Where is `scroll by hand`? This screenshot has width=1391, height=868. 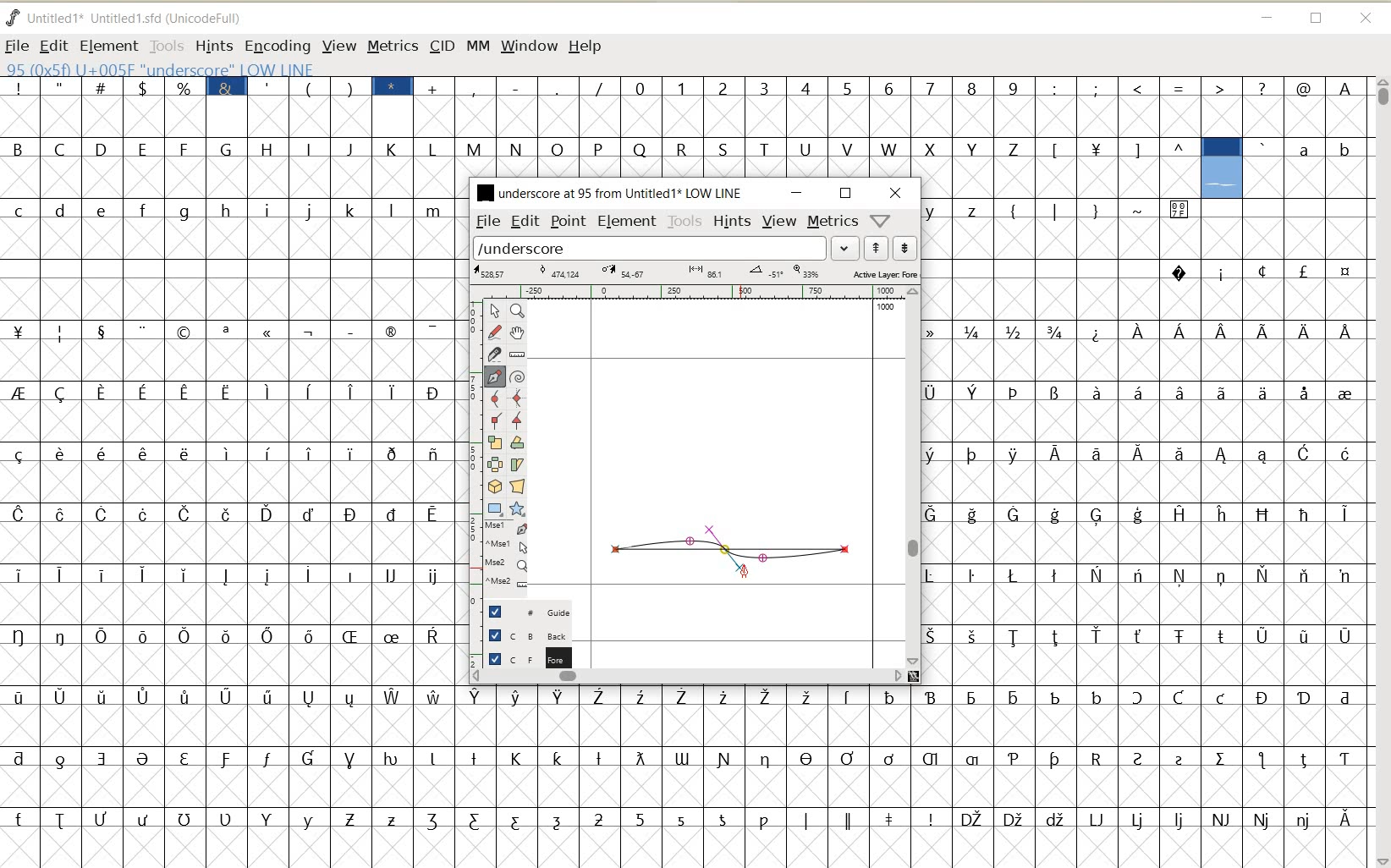 scroll by hand is located at coordinates (519, 332).